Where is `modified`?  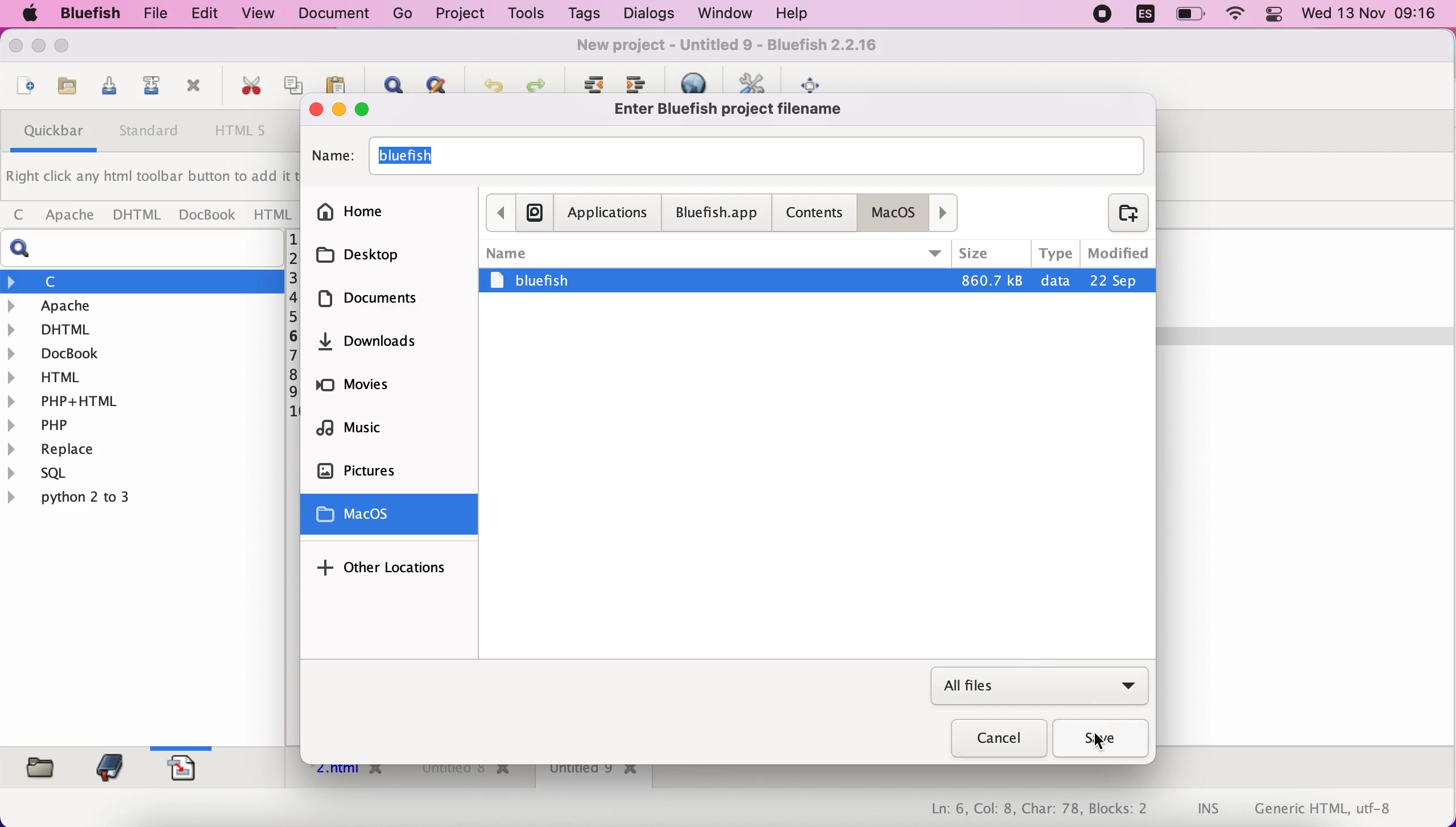
modified is located at coordinates (1116, 251).